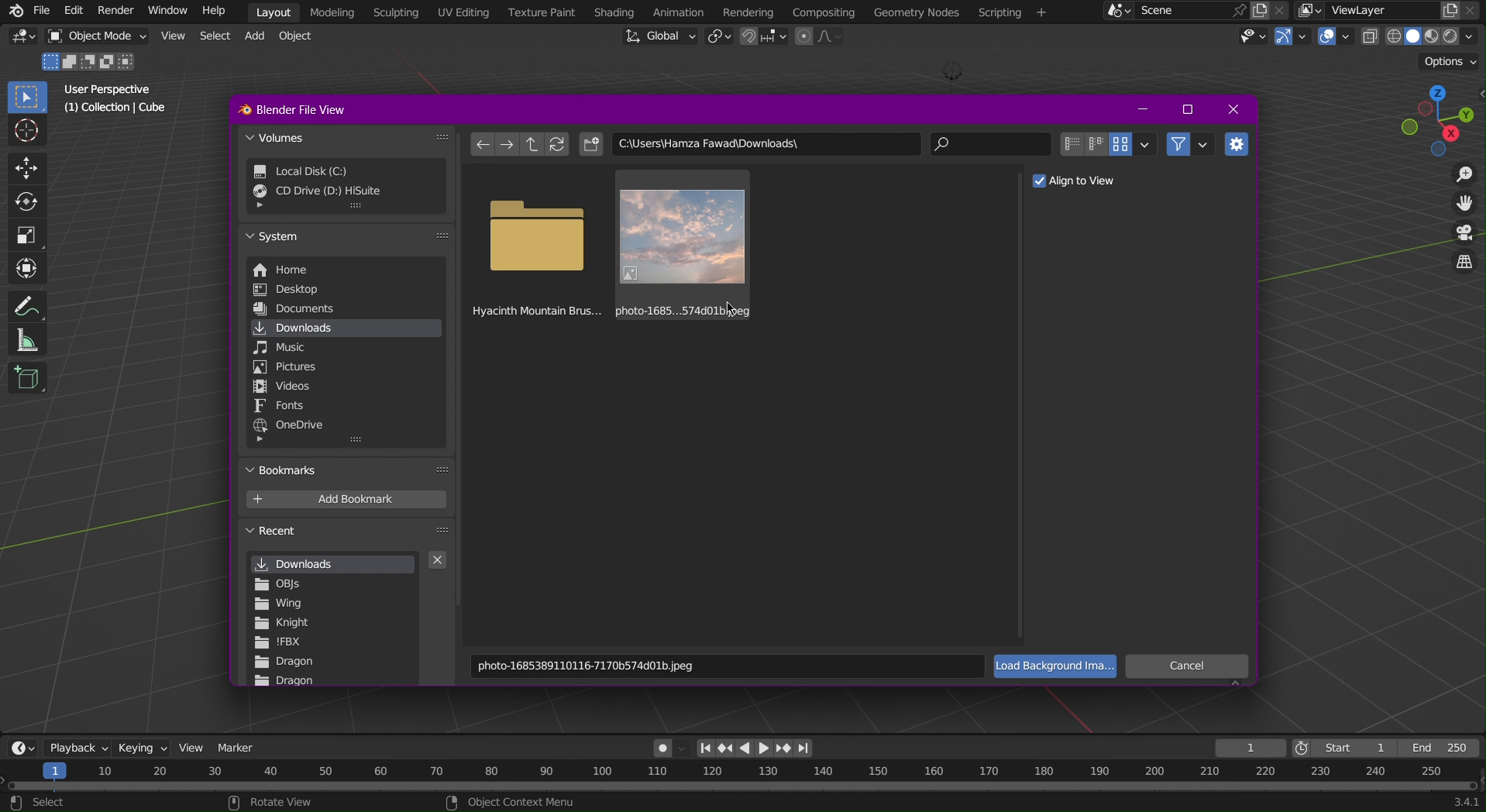 The width and height of the screenshot is (1486, 812). Describe the element at coordinates (1343, 746) in the screenshot. I see `Start 1` at that location.